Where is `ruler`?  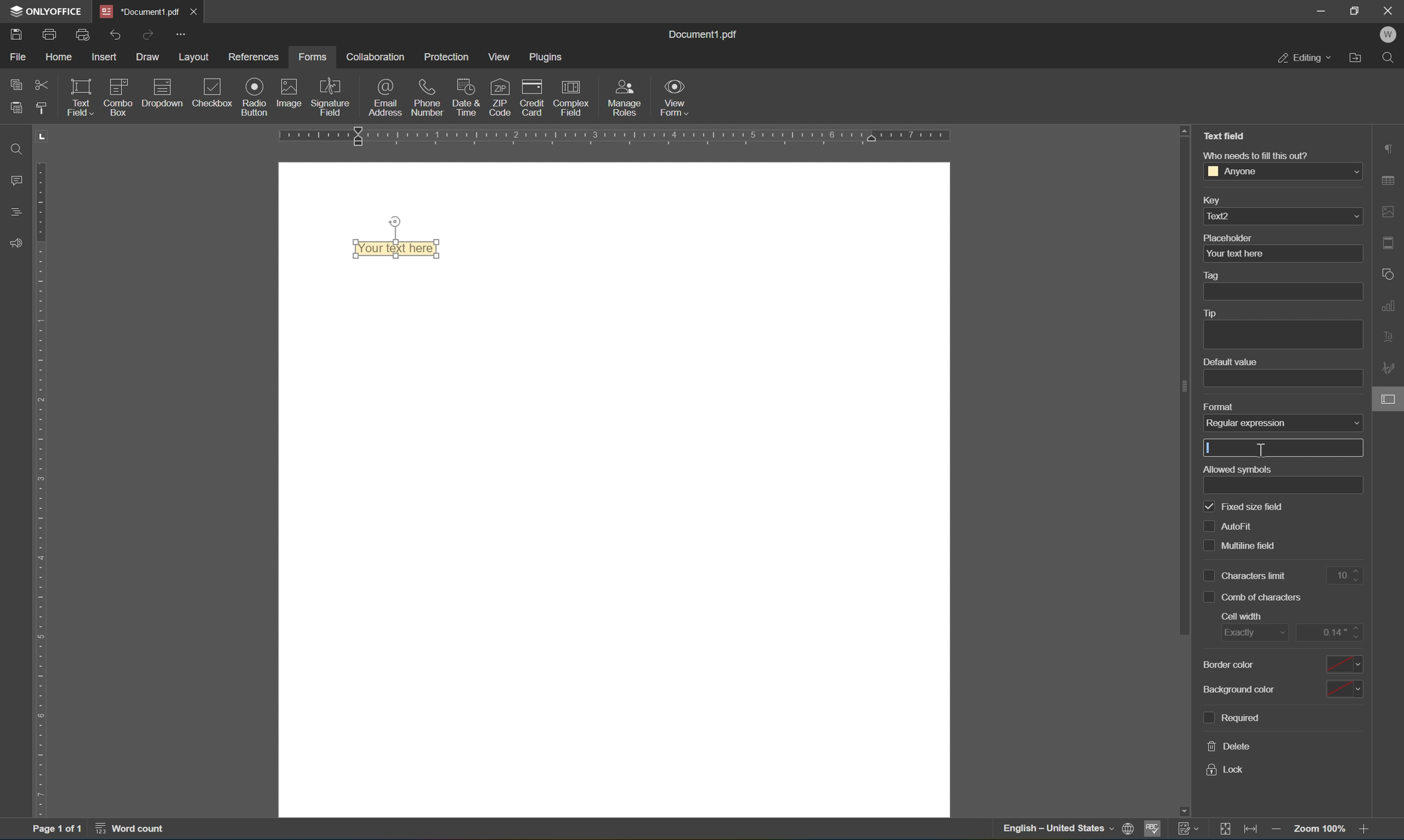 ruler is located at coordinates (37, 490).